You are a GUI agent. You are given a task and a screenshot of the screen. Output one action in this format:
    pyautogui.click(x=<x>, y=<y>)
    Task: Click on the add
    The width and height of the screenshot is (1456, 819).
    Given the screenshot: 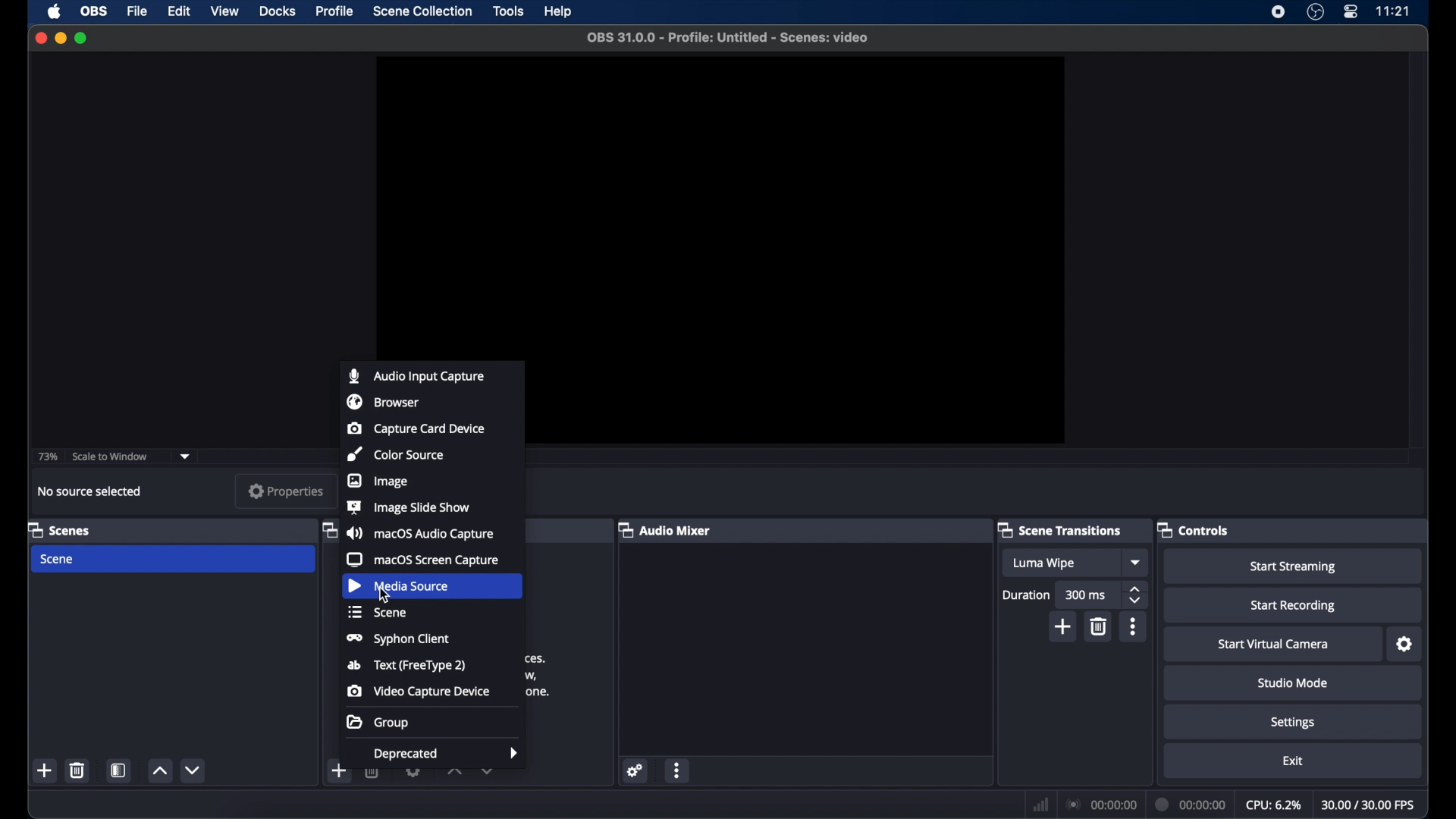 What is the action you would take?
    pyautogui.click(x=340, y=770)
    